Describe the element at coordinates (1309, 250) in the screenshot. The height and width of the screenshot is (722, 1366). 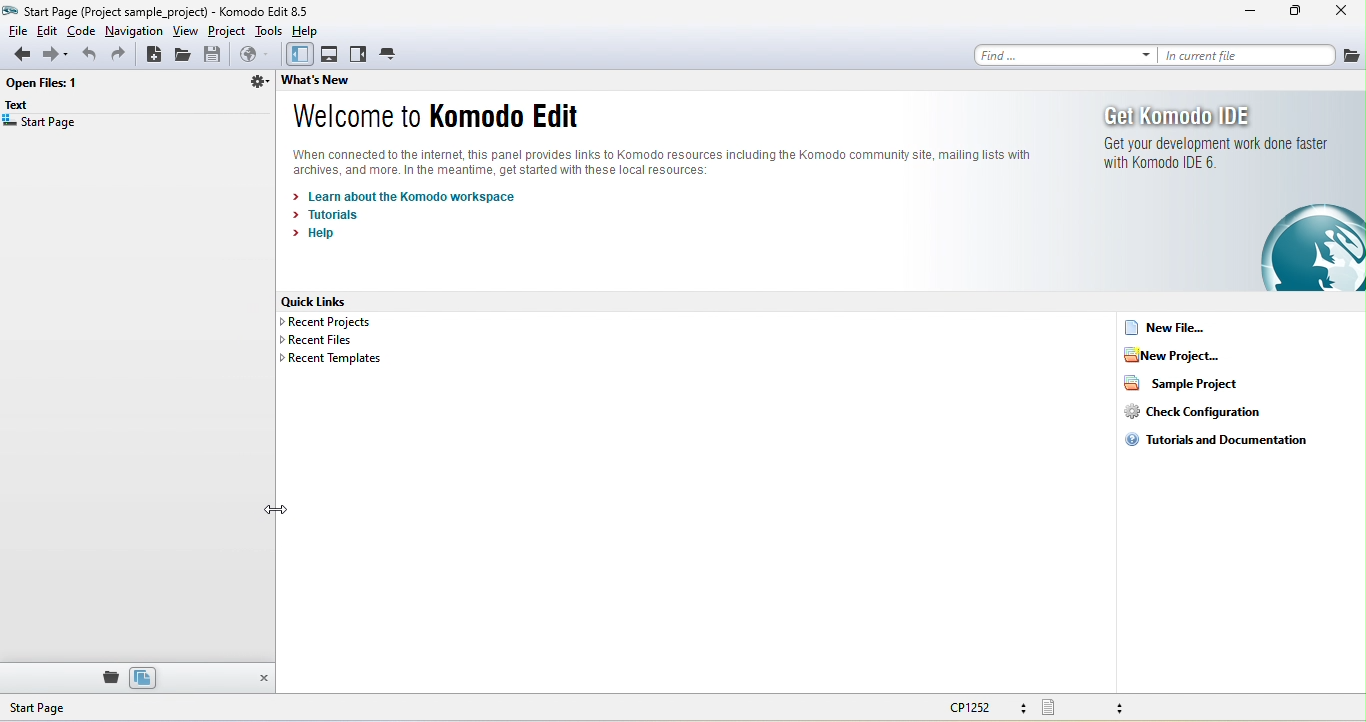
I see `image` at that location.